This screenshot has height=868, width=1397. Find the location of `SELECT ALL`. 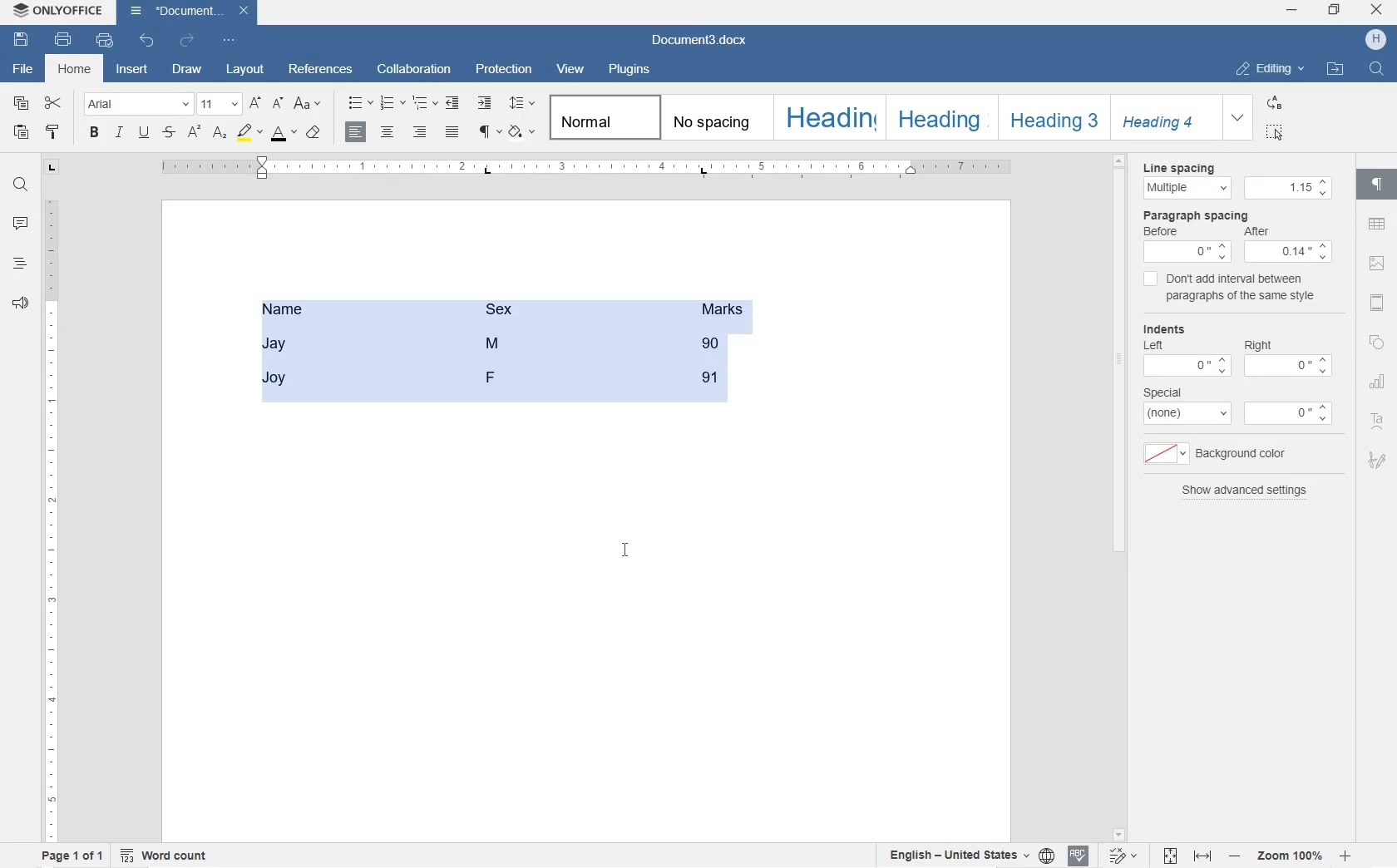

SELECT ALL is located at coordinates (1276, 132).